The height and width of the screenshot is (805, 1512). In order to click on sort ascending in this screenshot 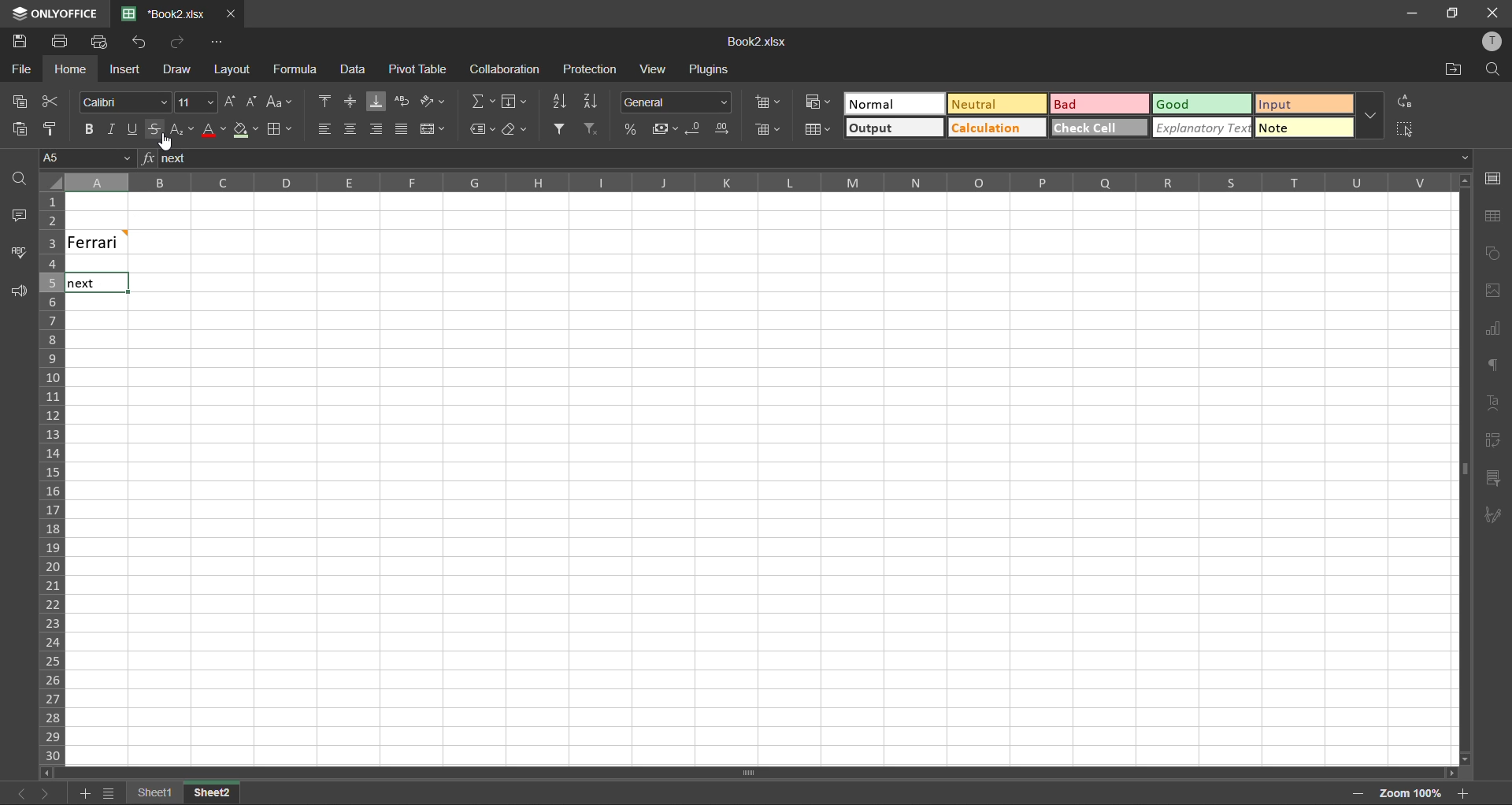, I will do `click(561, 100)`.